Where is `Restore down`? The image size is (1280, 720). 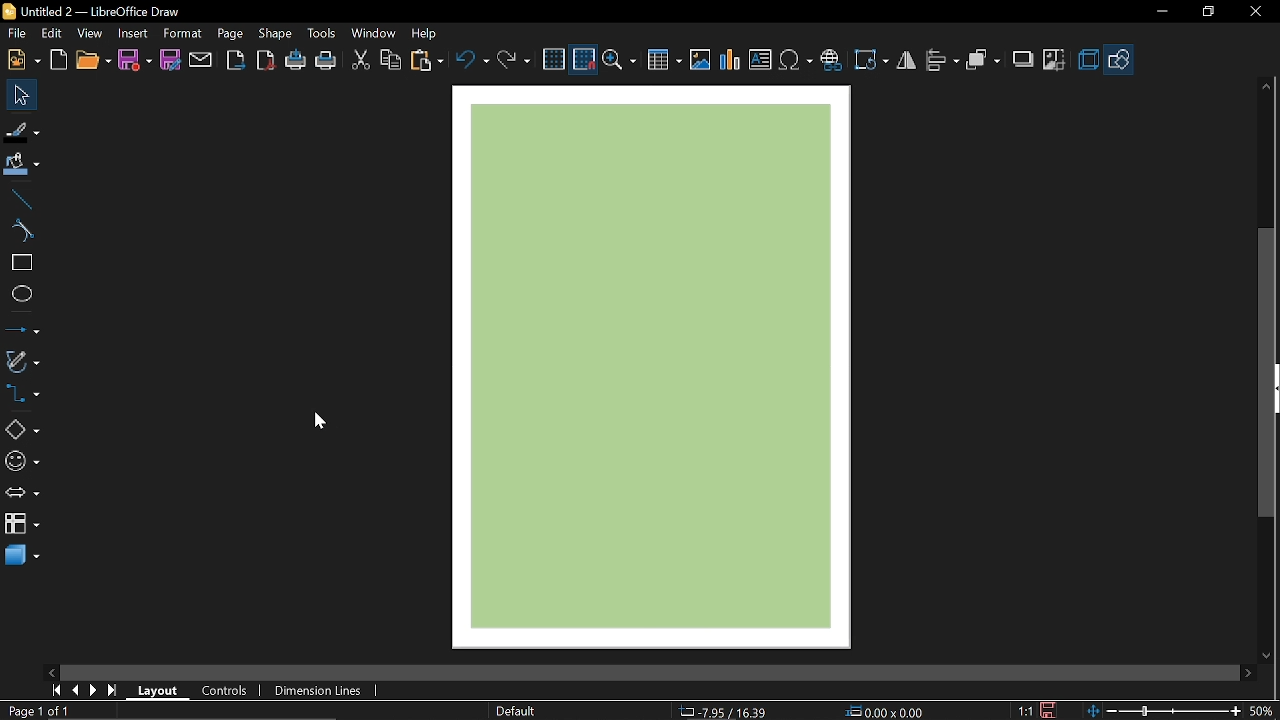
Restore down is located at coordinates (1206, 14).